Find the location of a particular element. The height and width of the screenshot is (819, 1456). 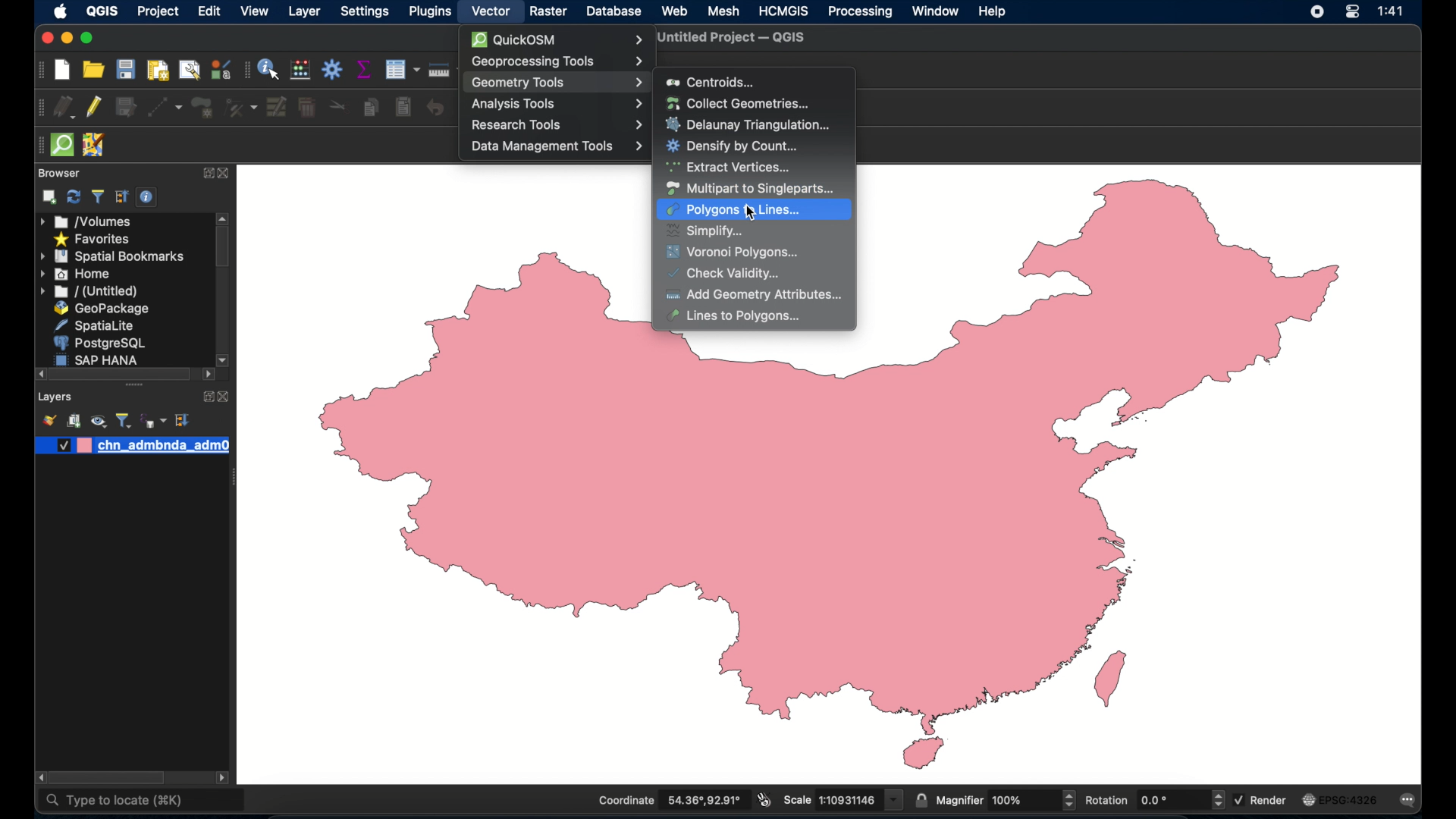

current edits is located at coordinates (65, 107).